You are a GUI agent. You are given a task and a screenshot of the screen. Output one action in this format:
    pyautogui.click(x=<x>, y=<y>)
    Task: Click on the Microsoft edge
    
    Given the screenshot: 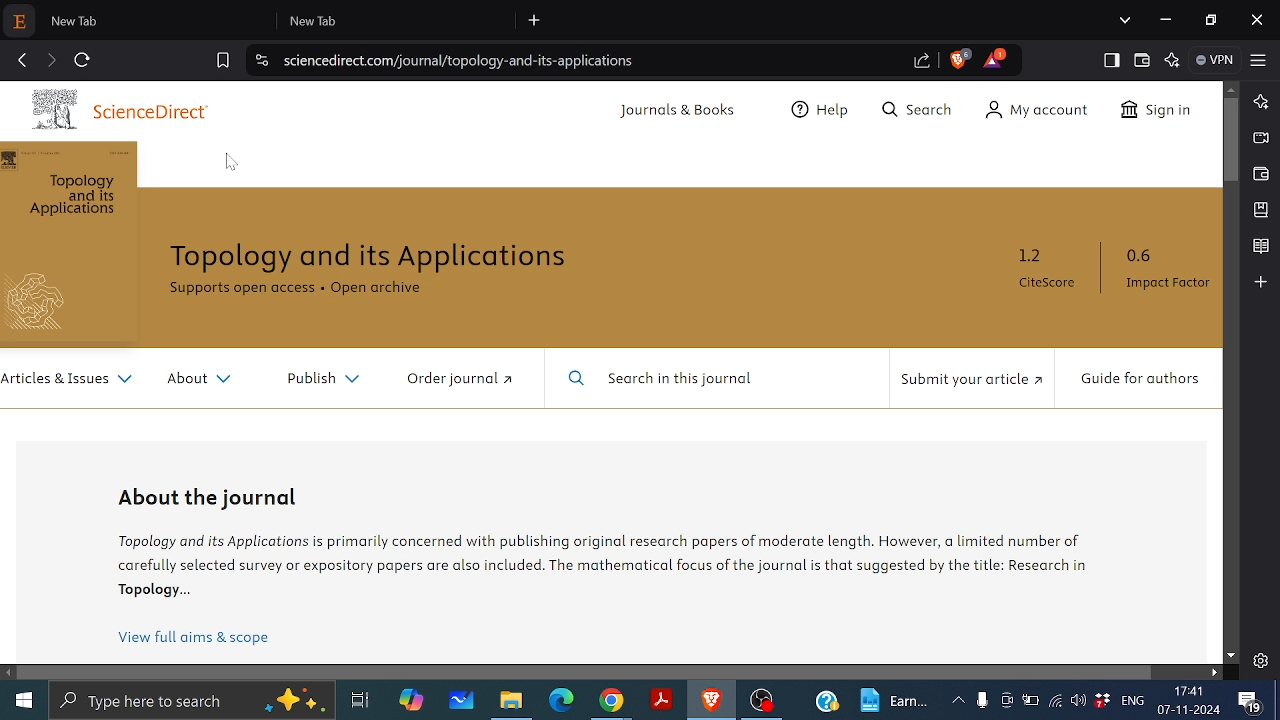 What is the action you would take?
    pyautogui.click(x=565, y=704)
    